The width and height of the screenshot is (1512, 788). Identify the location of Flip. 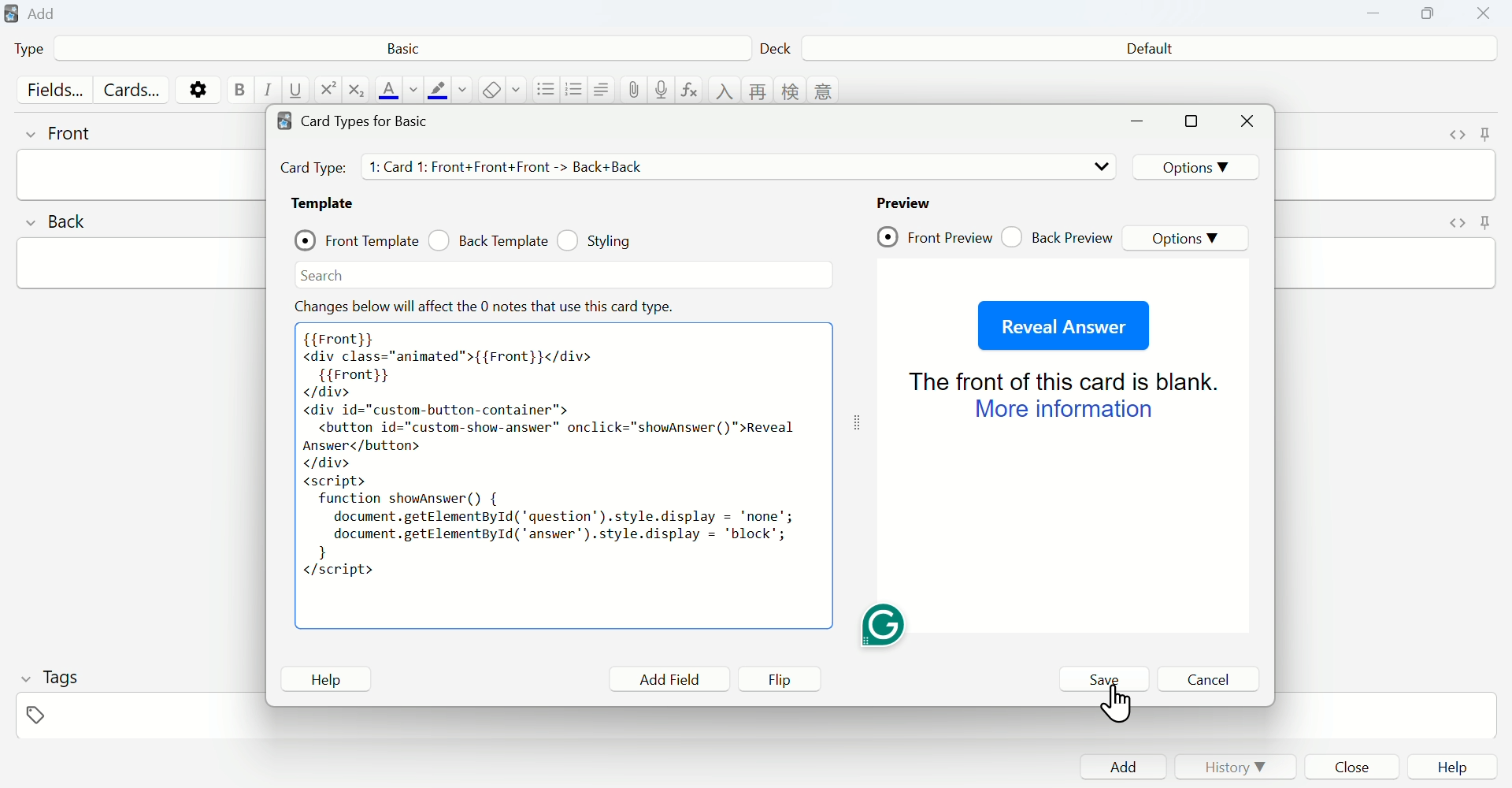
(779, 679).